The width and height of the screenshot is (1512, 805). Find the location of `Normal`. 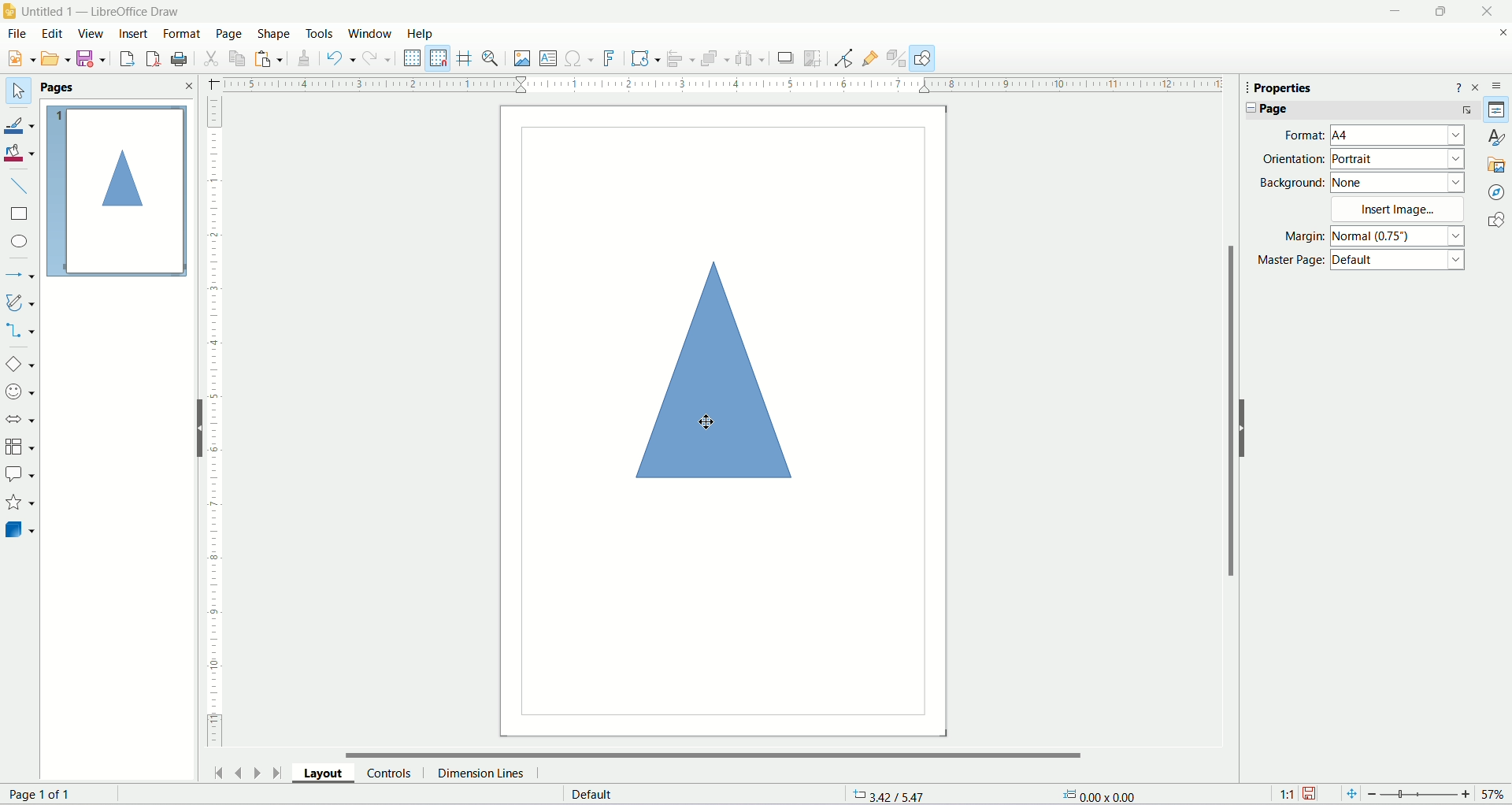

Normal is located at coordinates (1398, 235).